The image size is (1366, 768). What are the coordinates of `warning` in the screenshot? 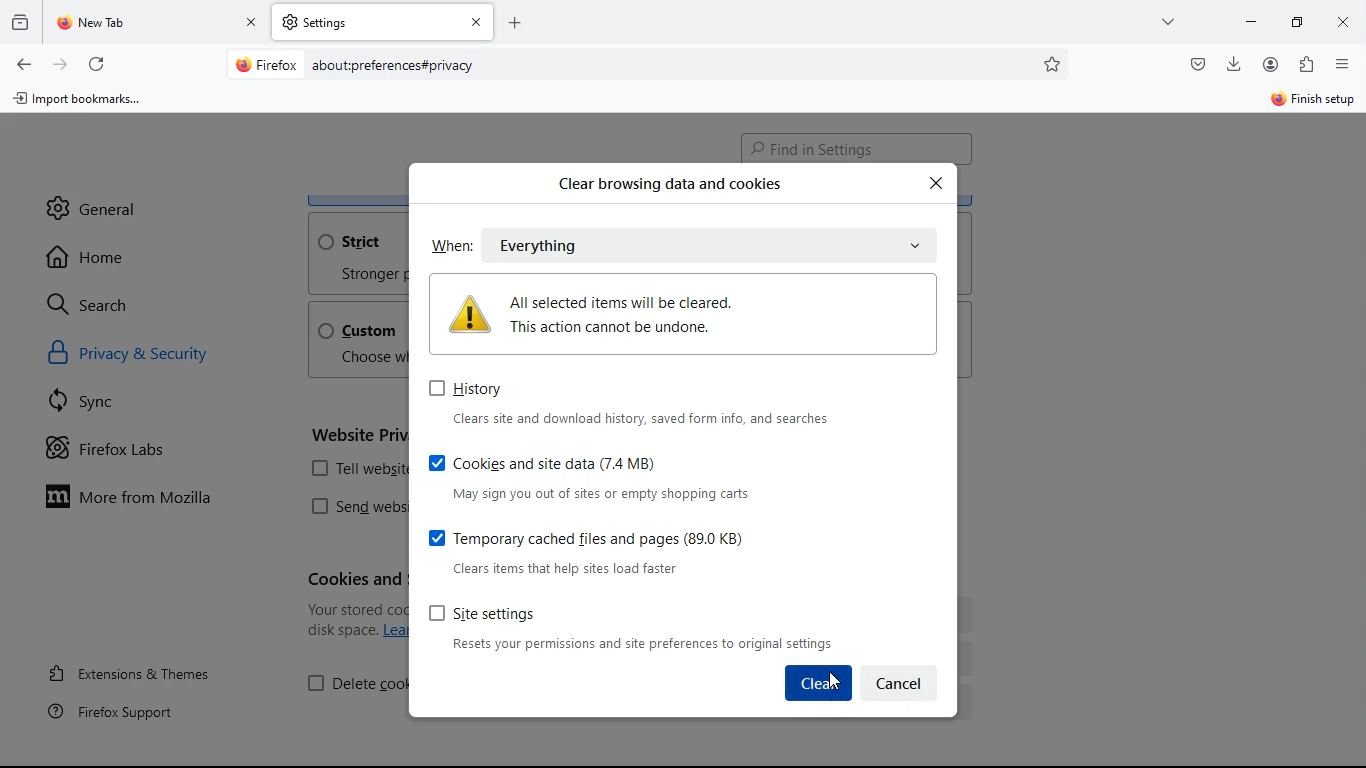 It's located at (678, 313).